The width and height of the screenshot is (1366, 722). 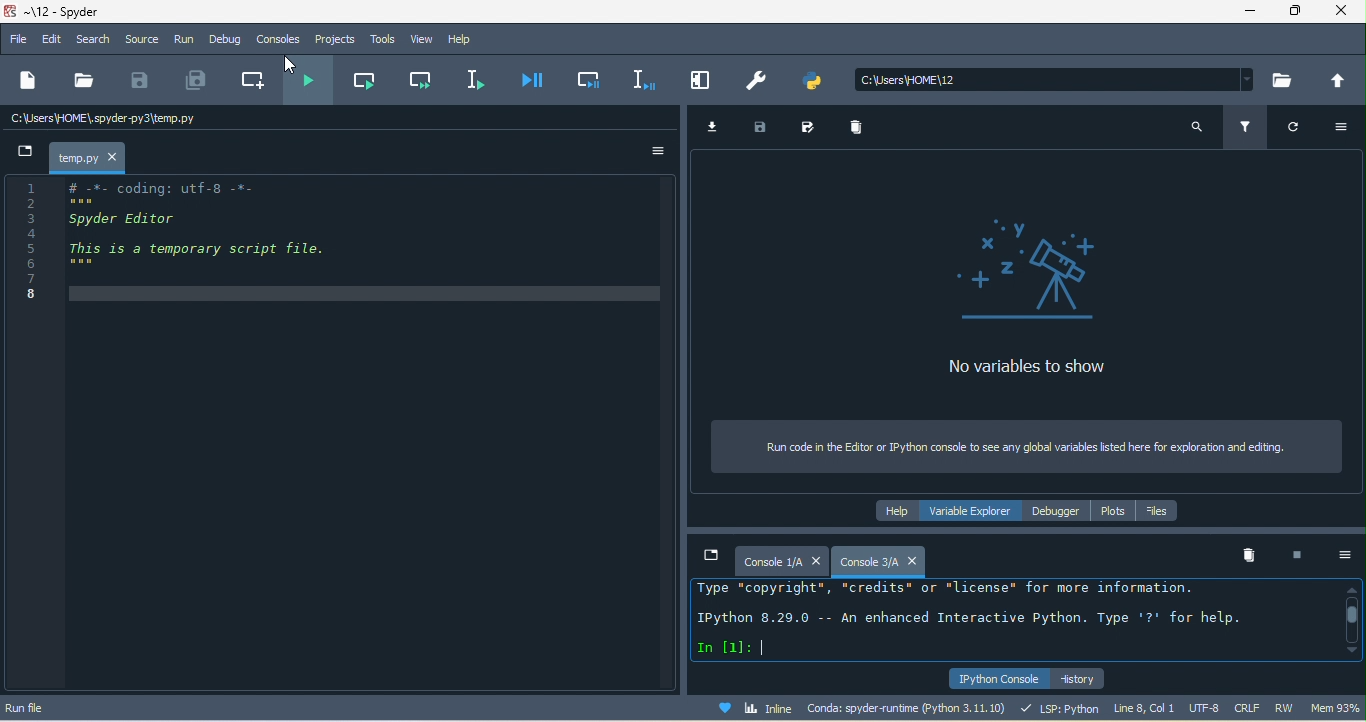 What do you see at coordinates (706, 81) in the screenshot?
I see `maximize current pane` at bounding box center [706, 81].